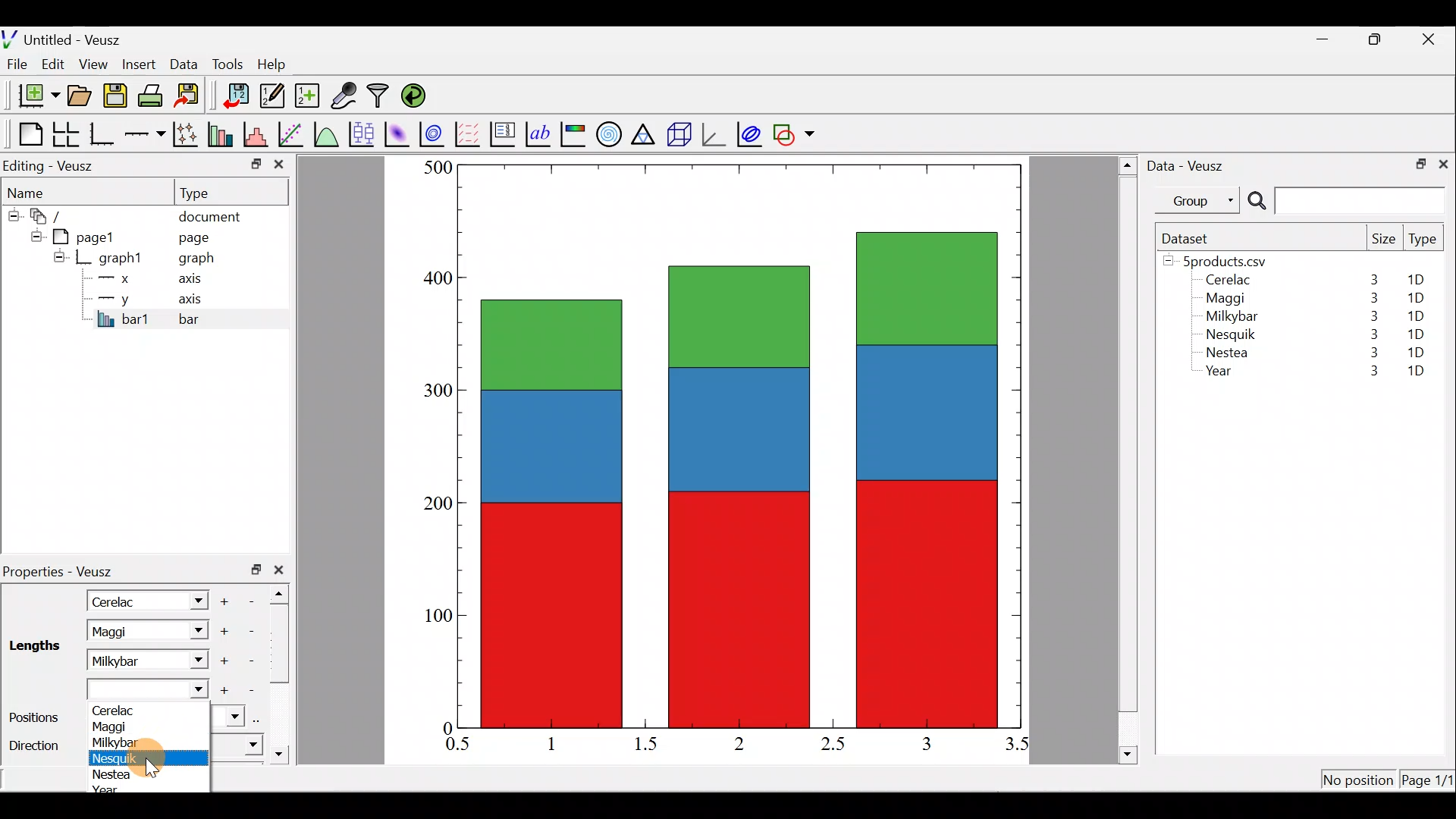 This screenshot has width=1456, height=819. I want to click on close, so click(279, 168).